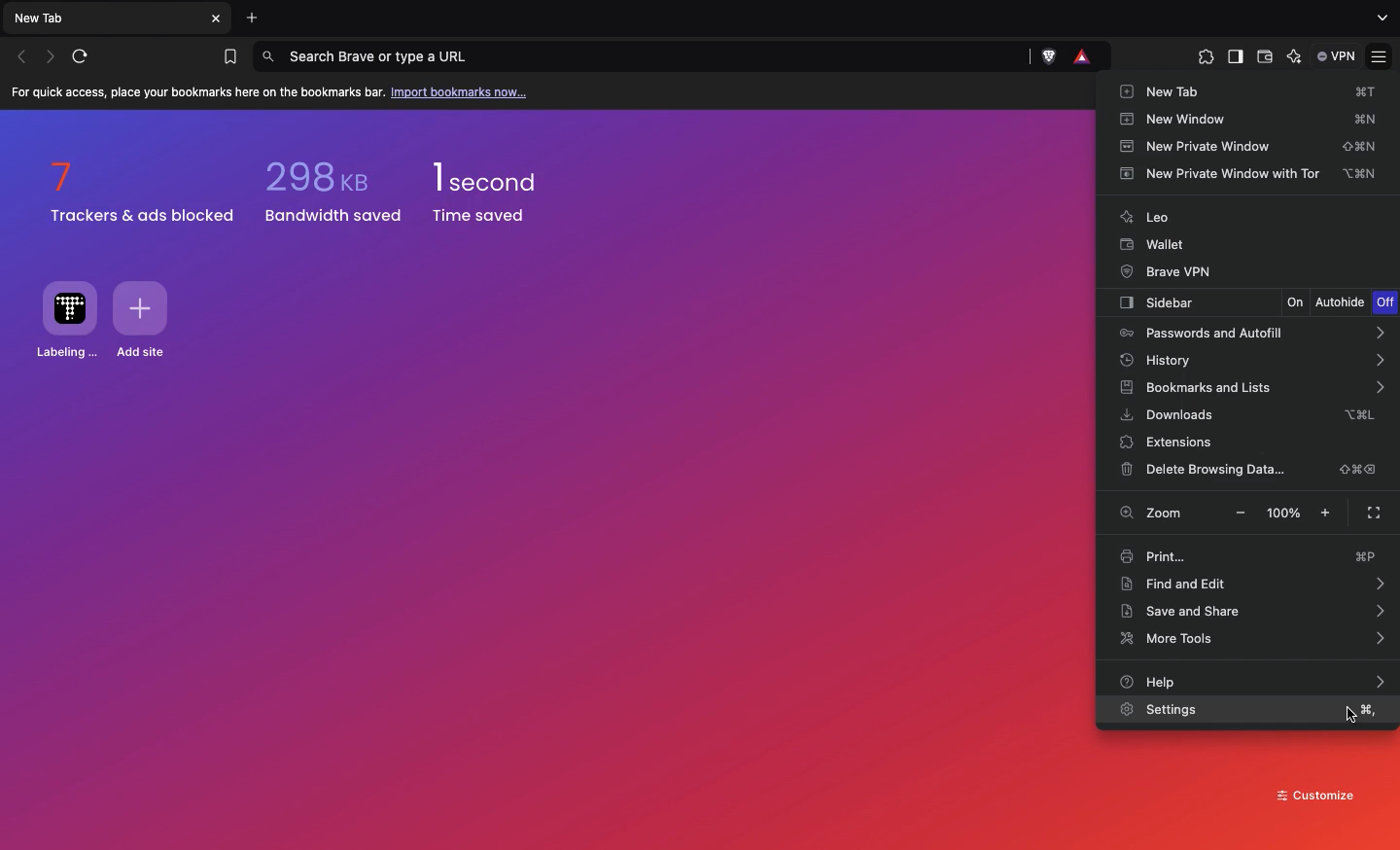 This screenshot has width=1400, height=850. What do you see at coordinates (1385, 303) in the screenshot?
I see `Off` at bounding box center [1385, 303].